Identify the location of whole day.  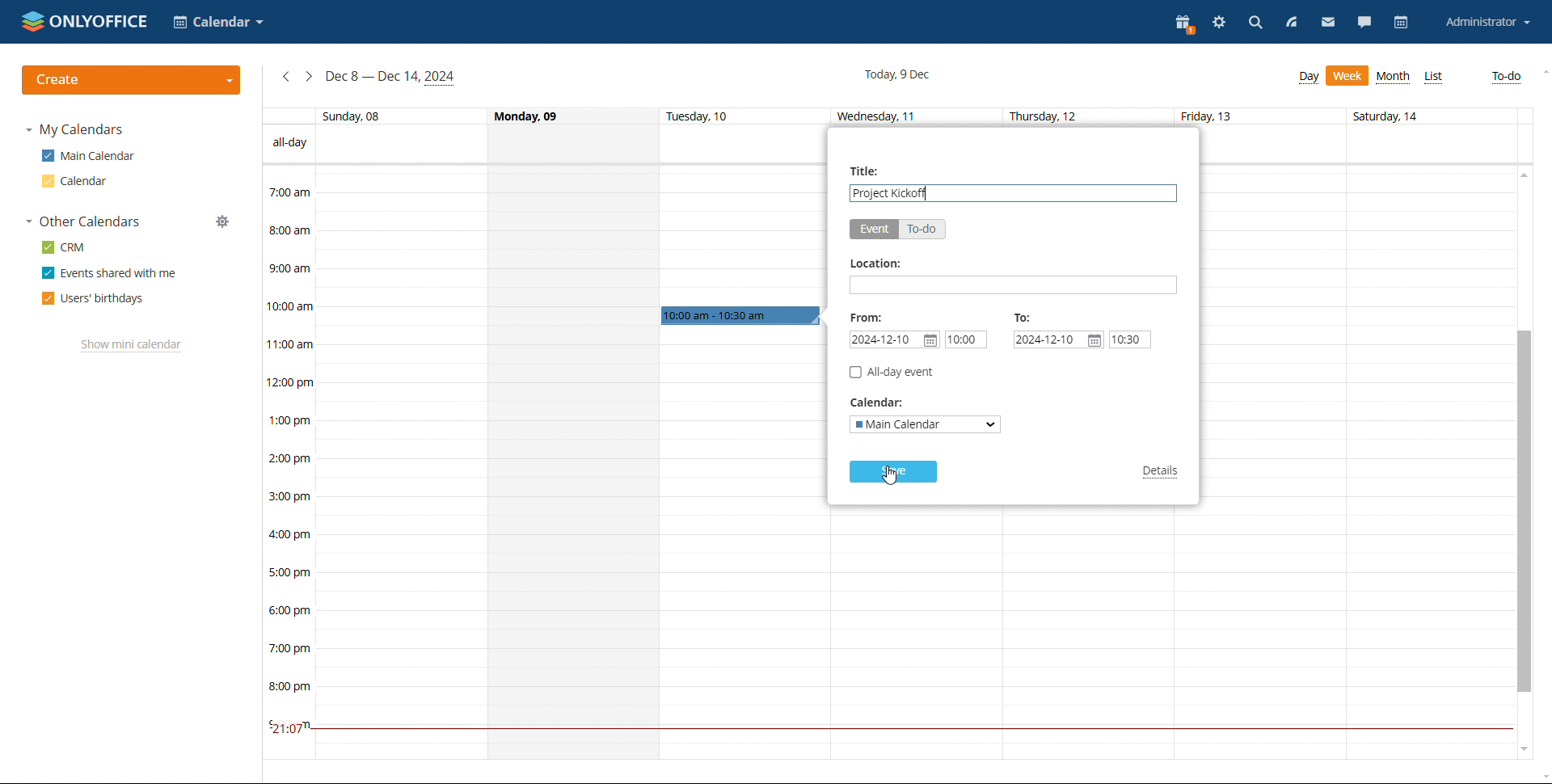
(573, 462).